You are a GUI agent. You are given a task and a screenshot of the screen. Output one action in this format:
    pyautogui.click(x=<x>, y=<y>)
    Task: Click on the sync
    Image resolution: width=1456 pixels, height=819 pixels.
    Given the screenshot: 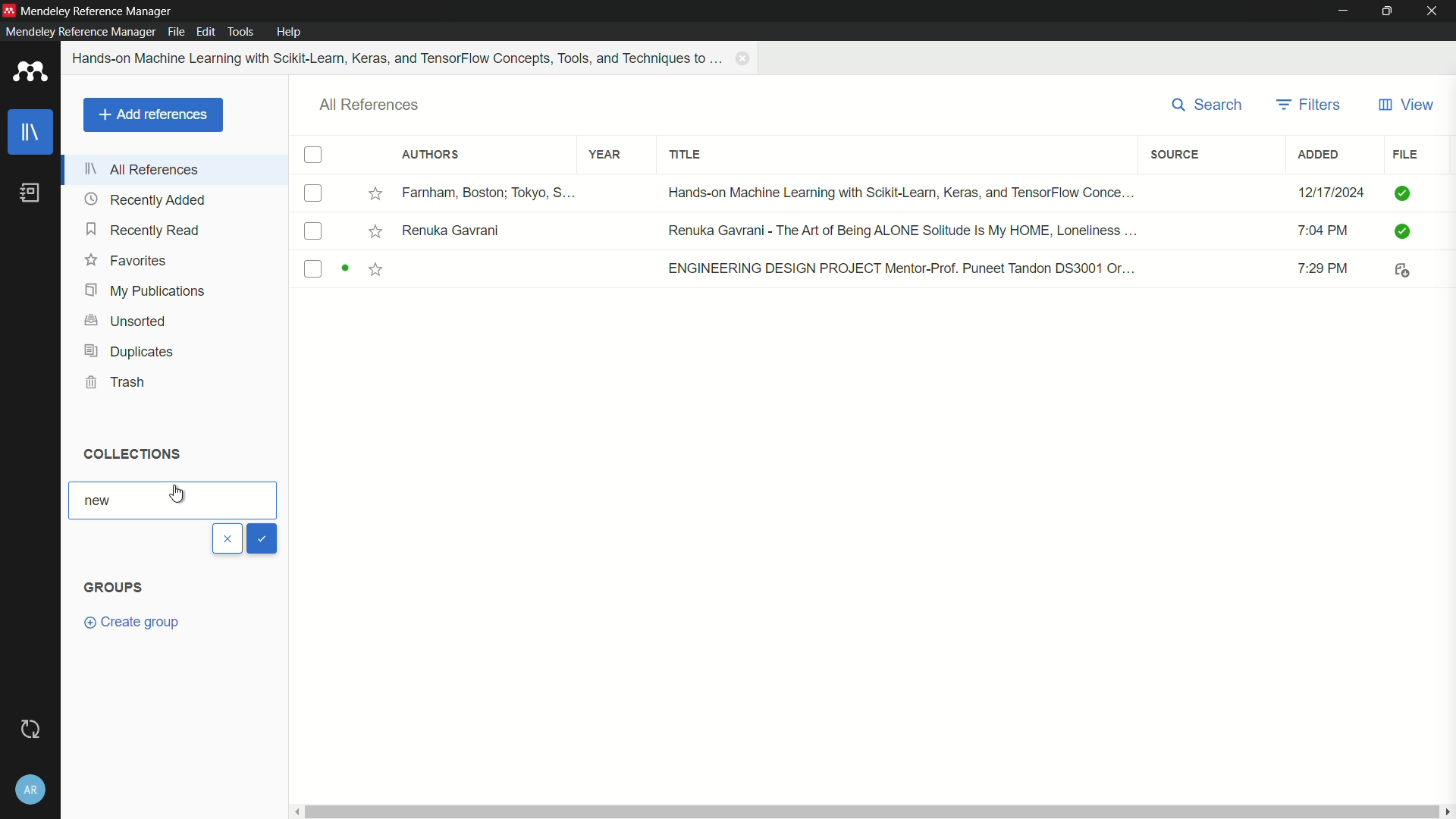 What is the action you would take?
    pyautogui.click(x=30, y=730)
    